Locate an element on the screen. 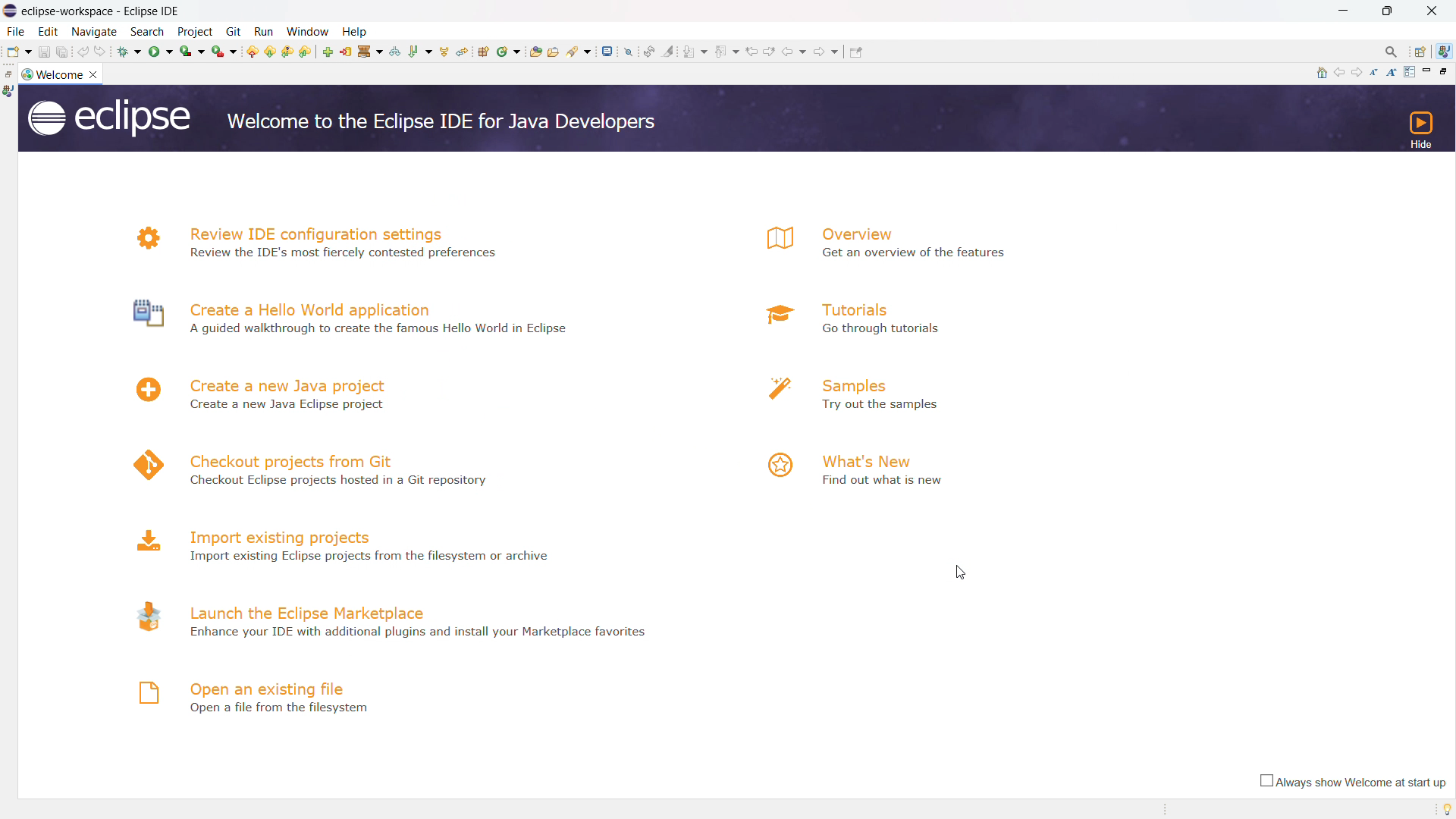 The width and height of the screenshot is (1456, 819). navigate to previous topic is located at coordinates (1339, 73).